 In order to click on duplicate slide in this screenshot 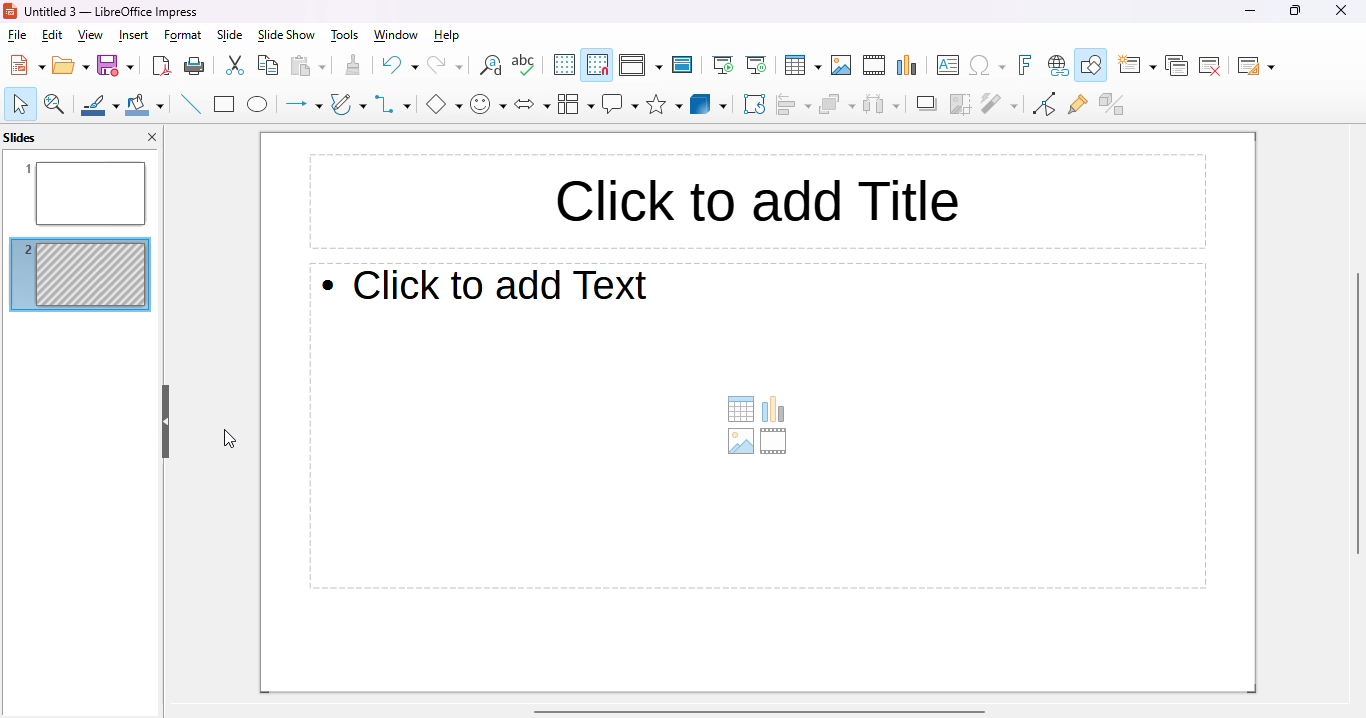, I will do `click(1176, 66)`.